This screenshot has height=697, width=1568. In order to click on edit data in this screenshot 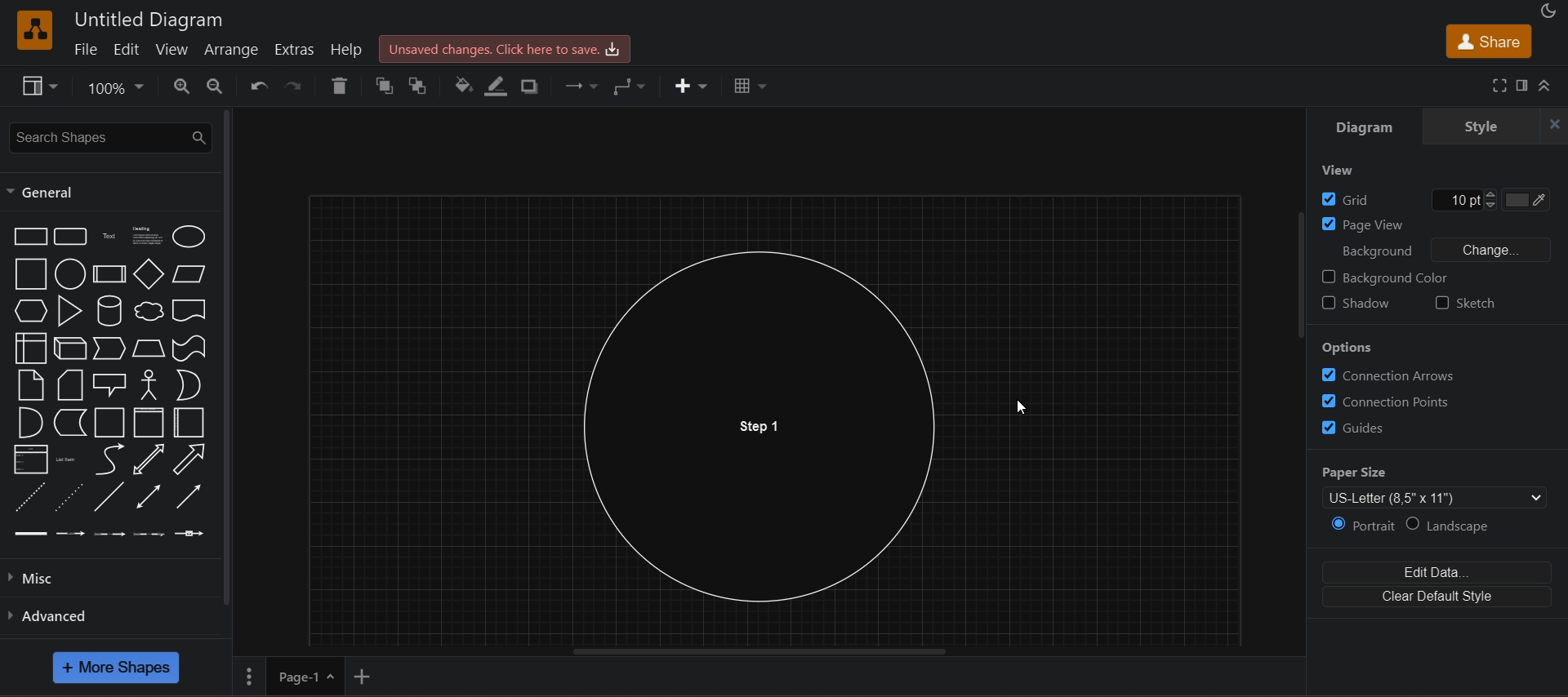, I will do `click(1439, 571)`.